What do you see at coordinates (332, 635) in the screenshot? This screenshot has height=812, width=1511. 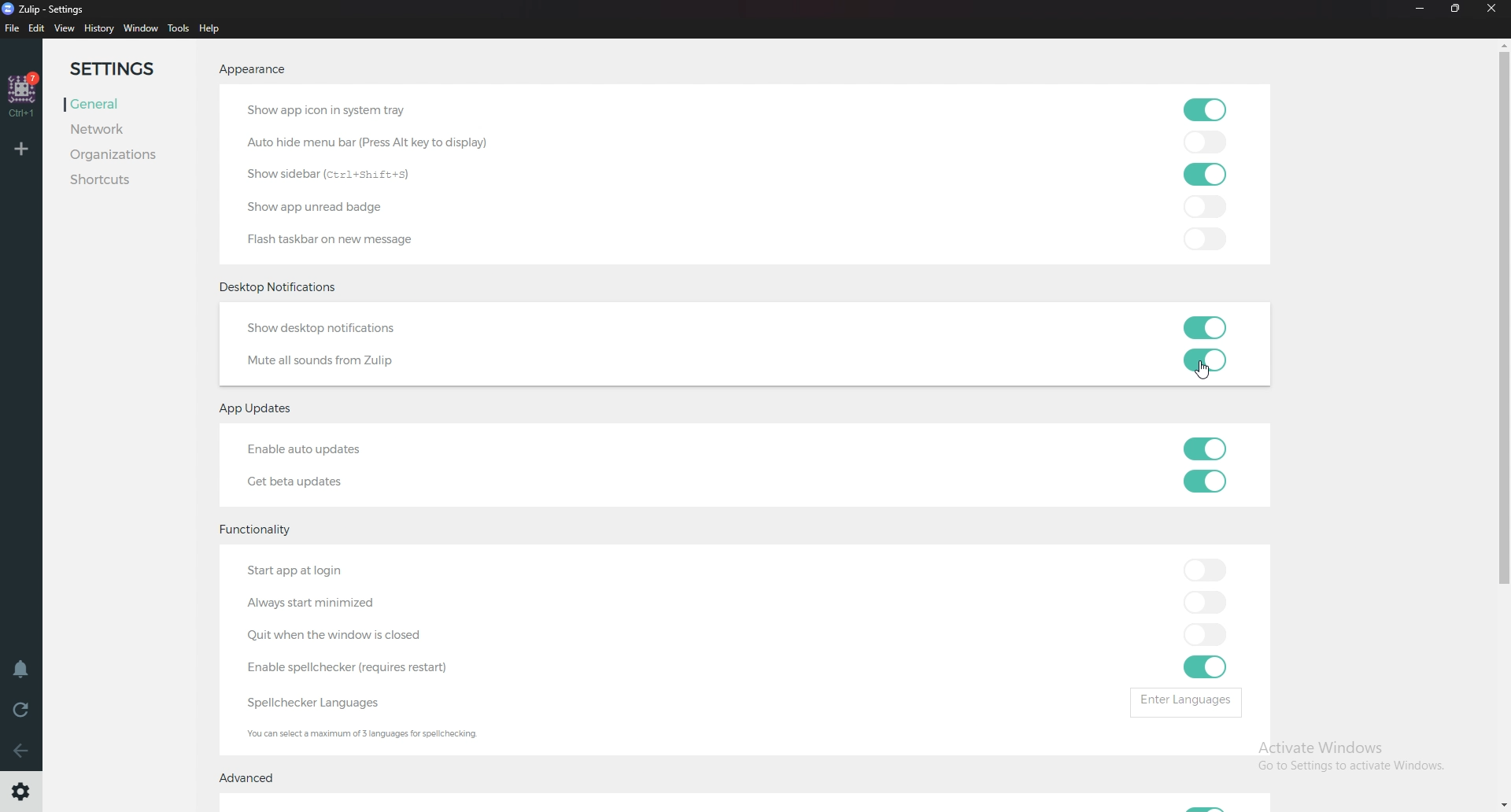 I see `Quit when windows is closed` at bounding box center [332, 635].